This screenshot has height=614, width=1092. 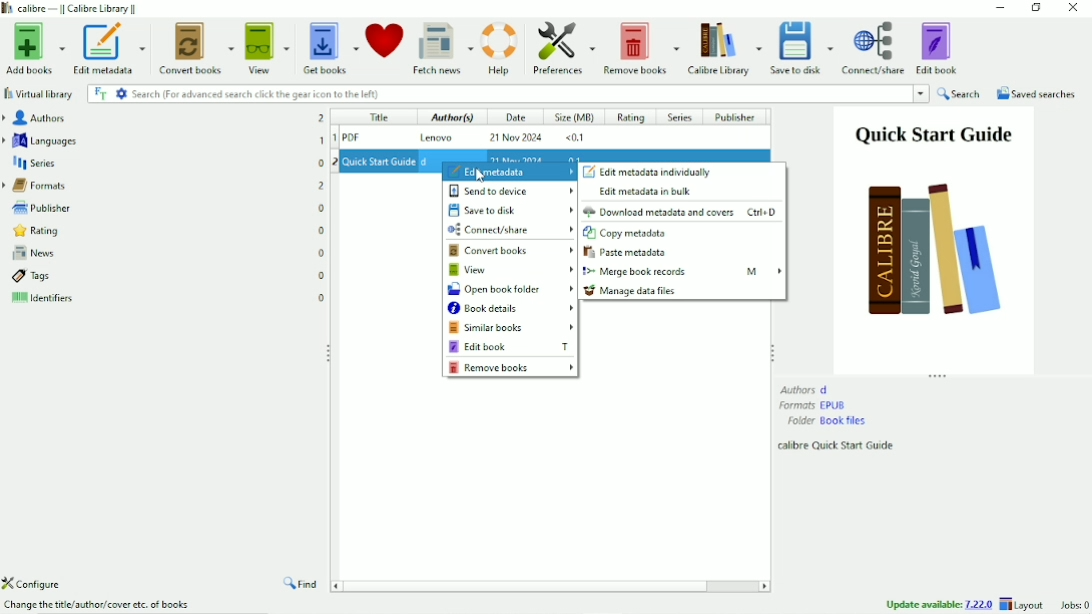 I want to click on Convert books, so click(x=197, y=46).